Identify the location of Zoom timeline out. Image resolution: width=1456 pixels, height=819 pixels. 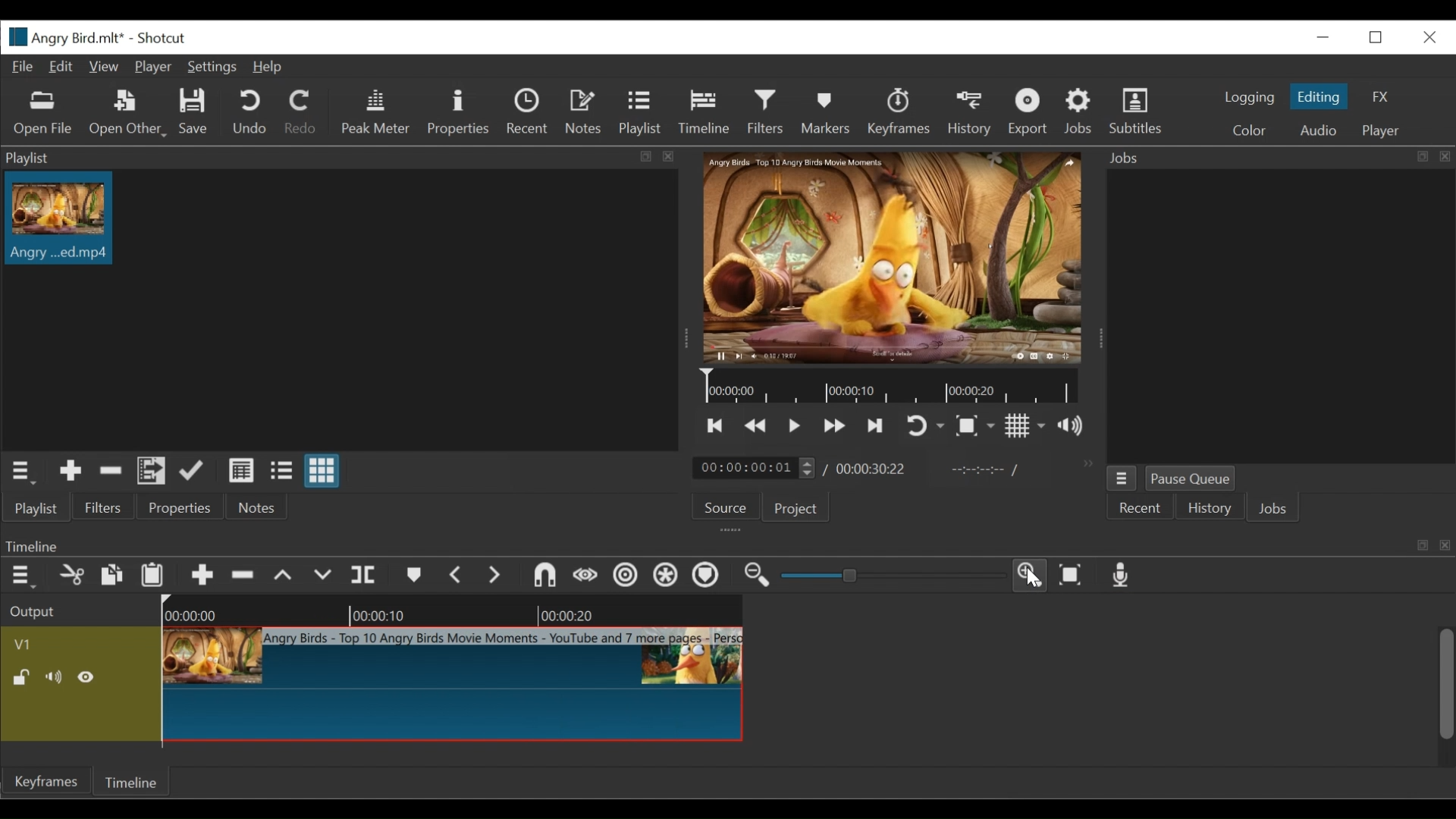
(756, 575).